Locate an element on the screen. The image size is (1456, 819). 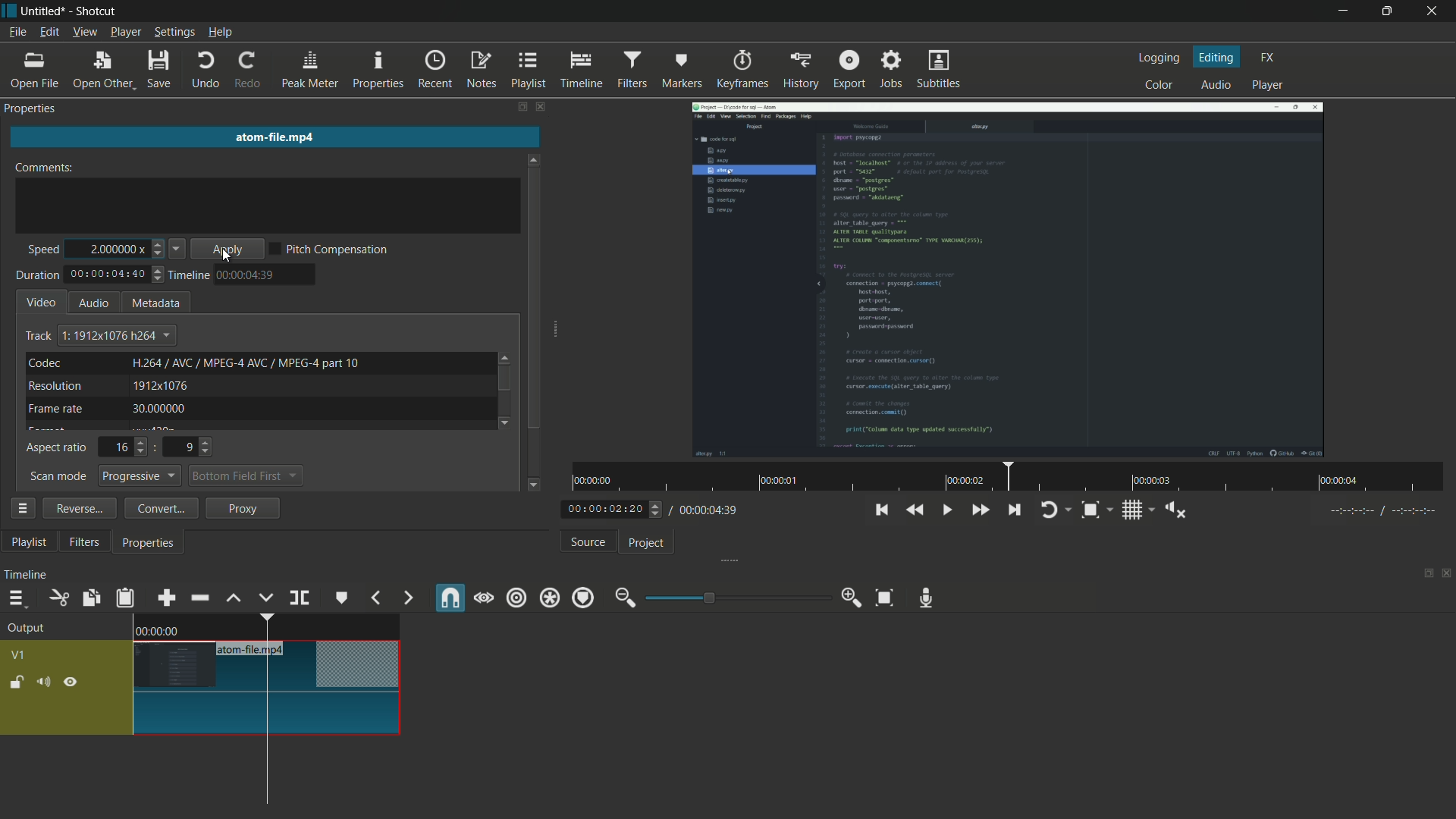
split at playhead is located at coordinates (297, 598).